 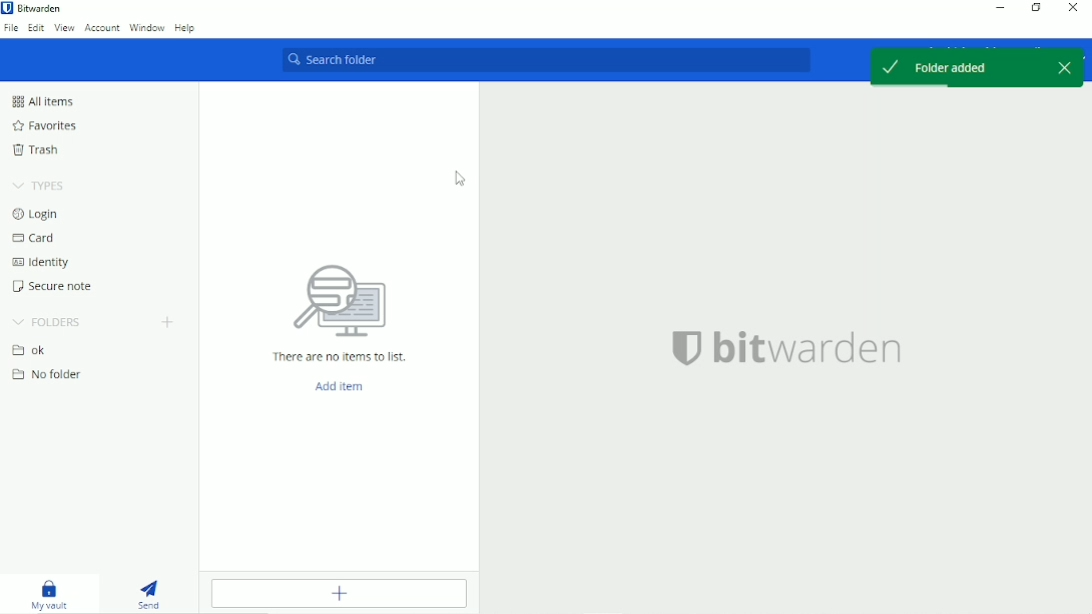 What do you see at coordinates (51, 287) in the screenshot?
I see `Secure note` at bounding box center [51, 287].